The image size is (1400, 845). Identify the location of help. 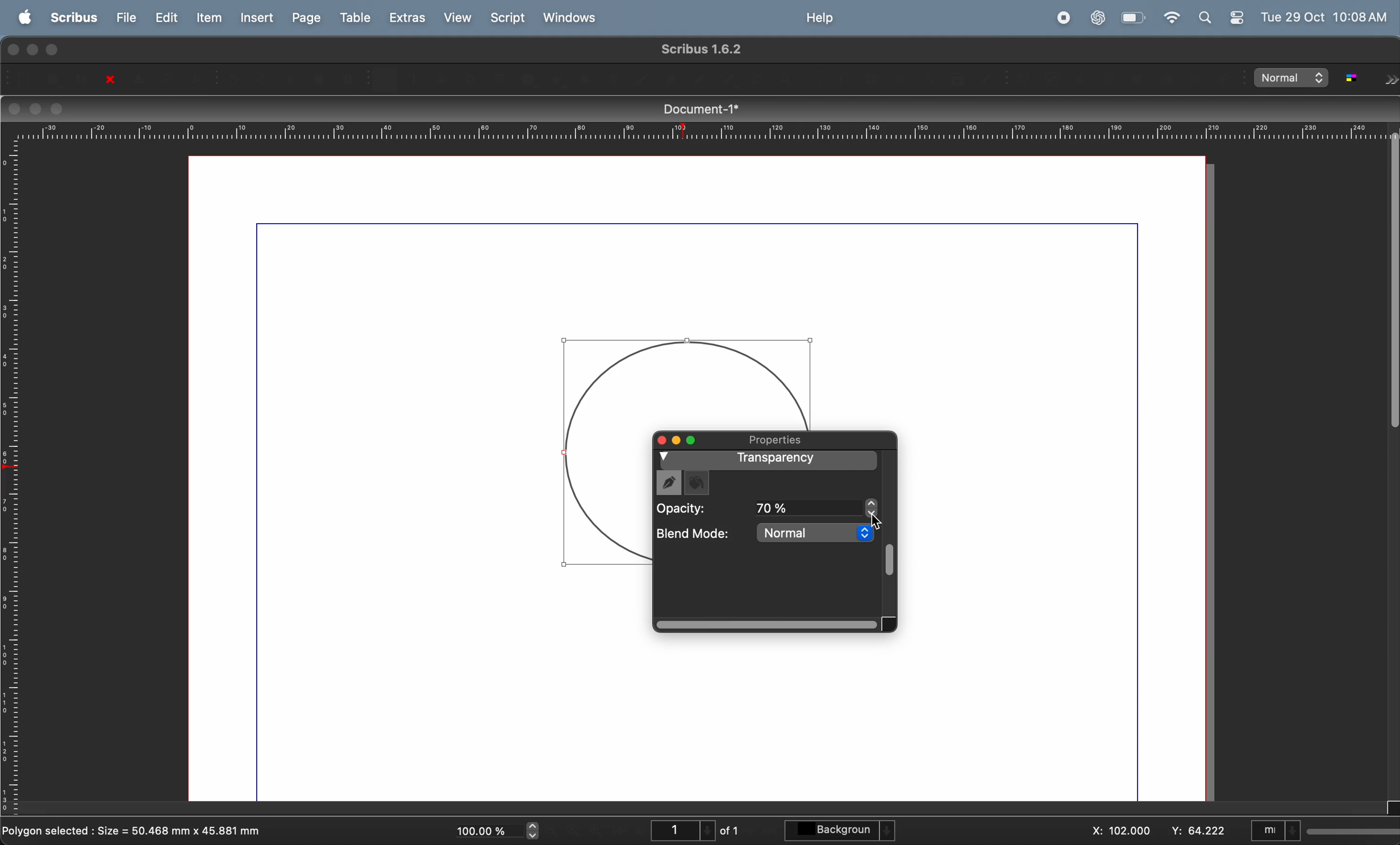
(821, 19).